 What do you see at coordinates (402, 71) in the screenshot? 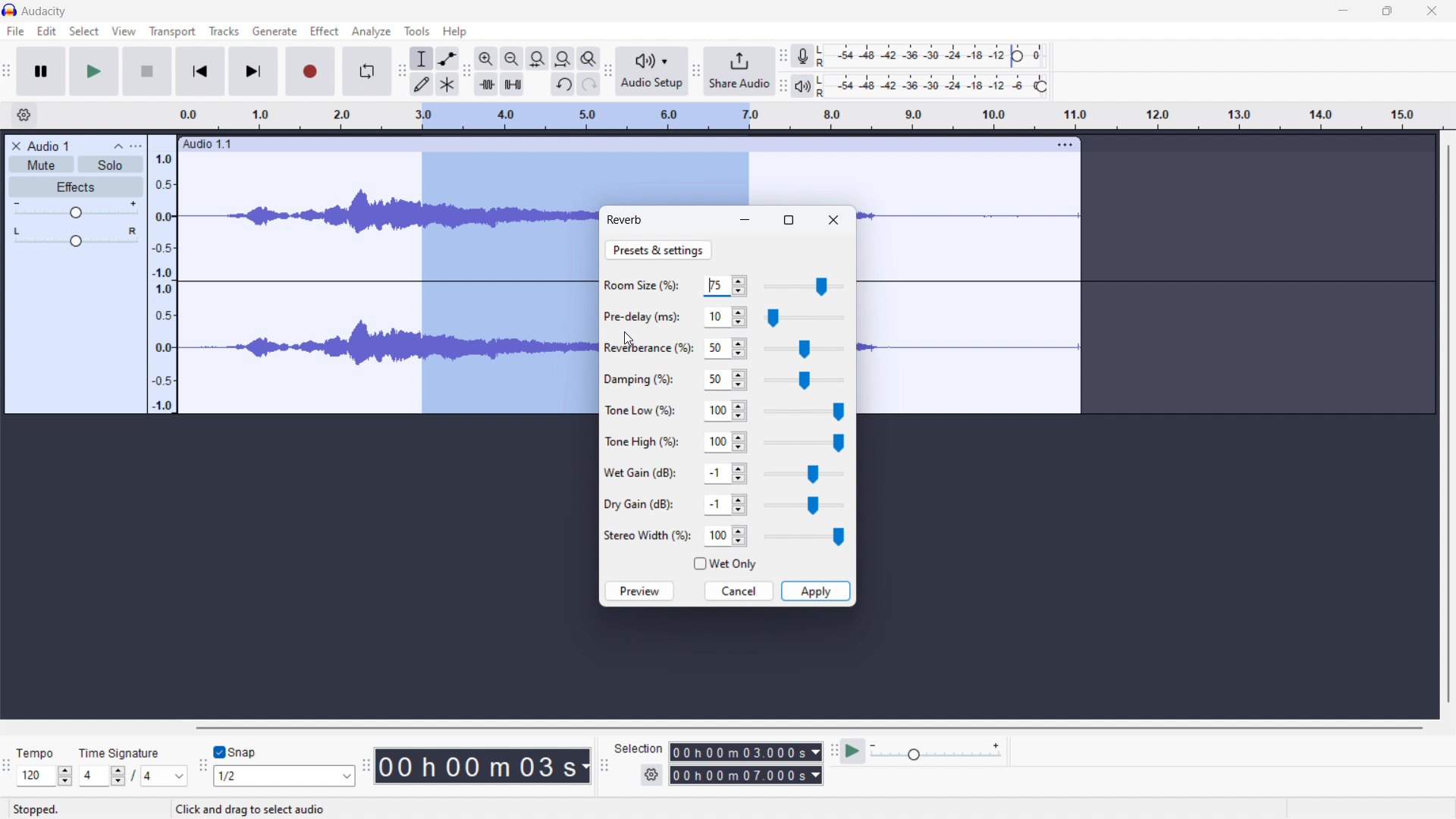
I see `tools toolbar` at bounding box center [402, 71].